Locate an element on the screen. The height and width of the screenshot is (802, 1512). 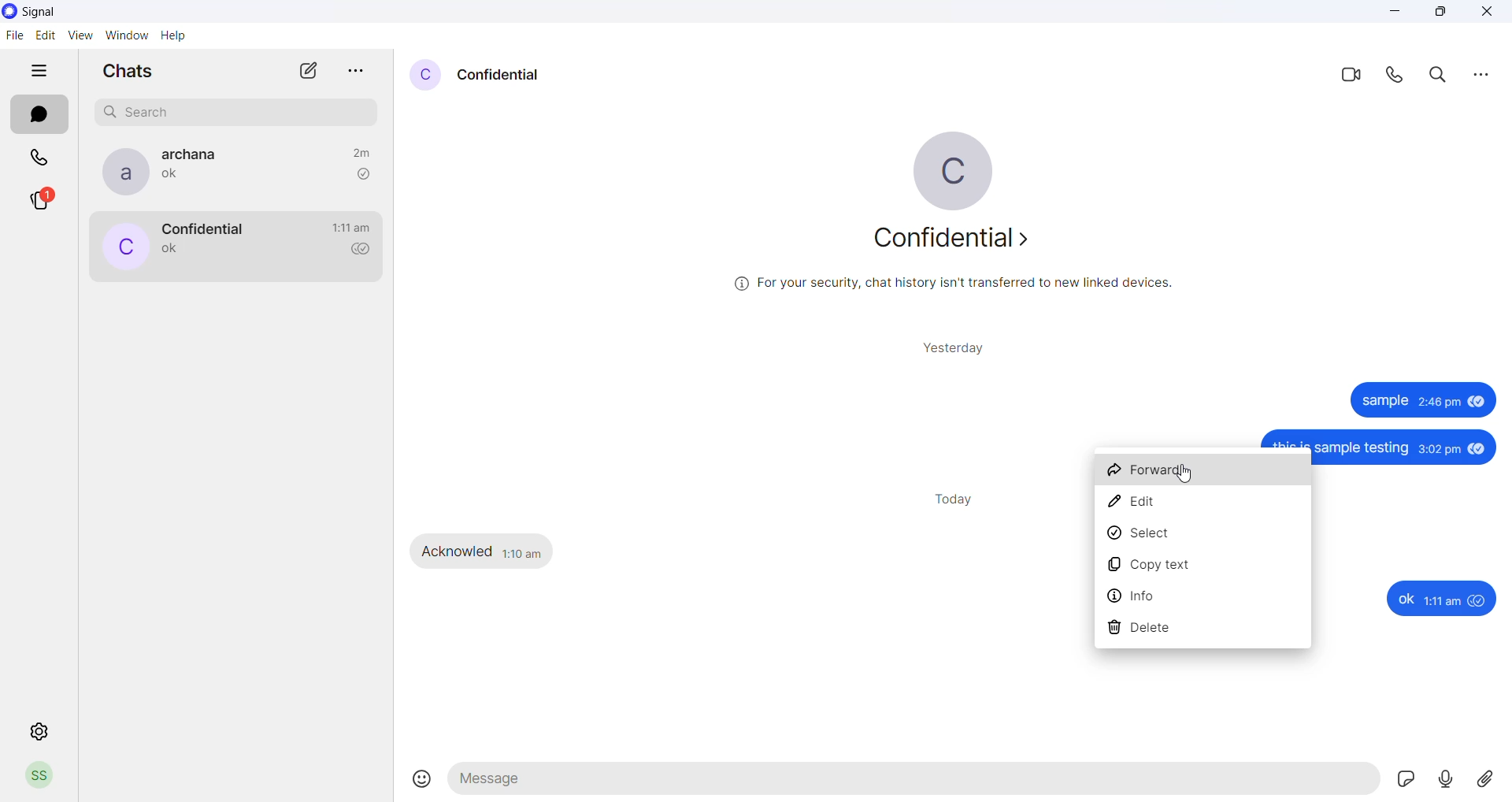
contact name is located at coordinates (202, 228).